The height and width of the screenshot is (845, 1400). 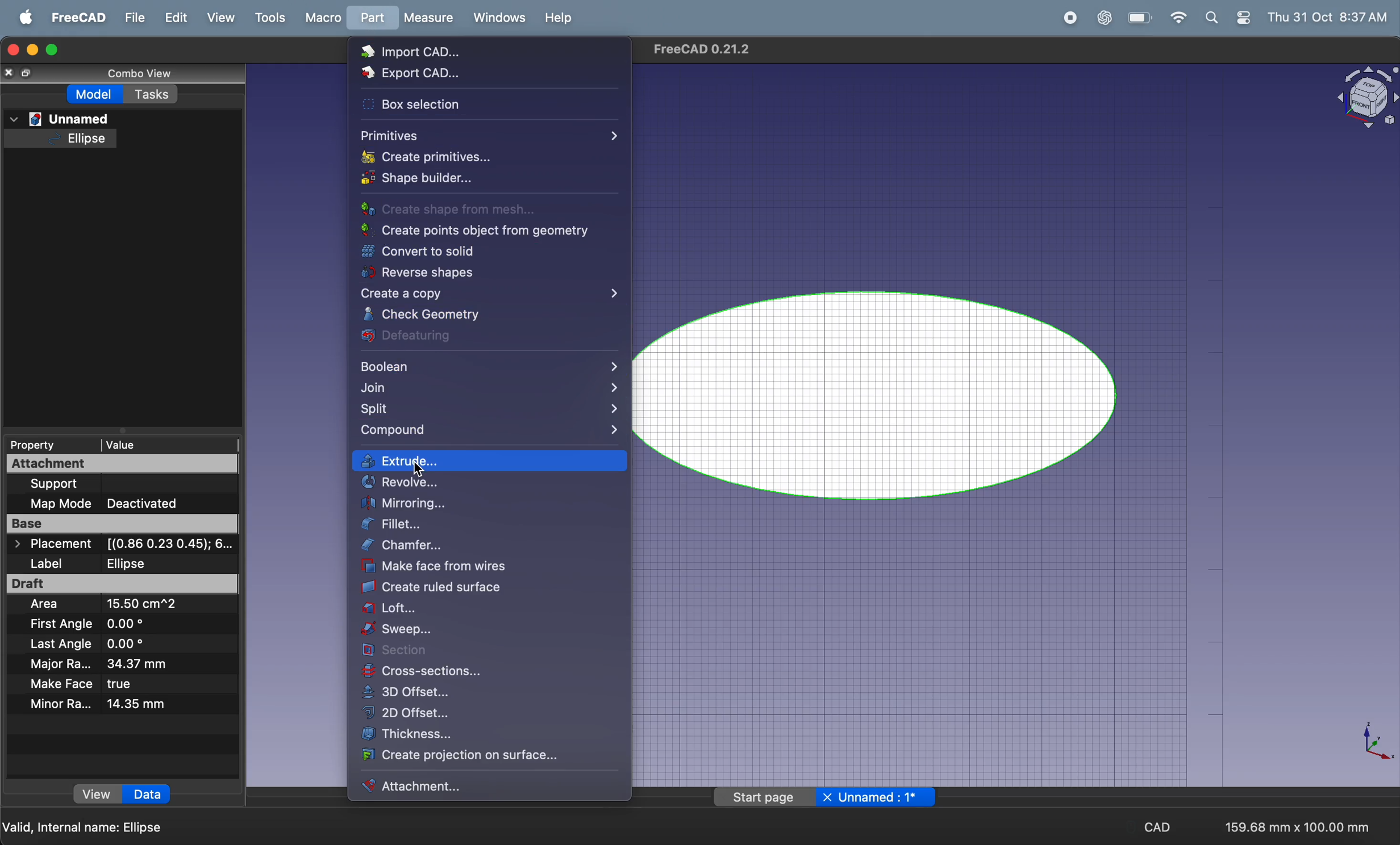 What do you see at coordinates (1350, 100) in the screenshot?
I see `object title` at bounding box center [1350, 100].